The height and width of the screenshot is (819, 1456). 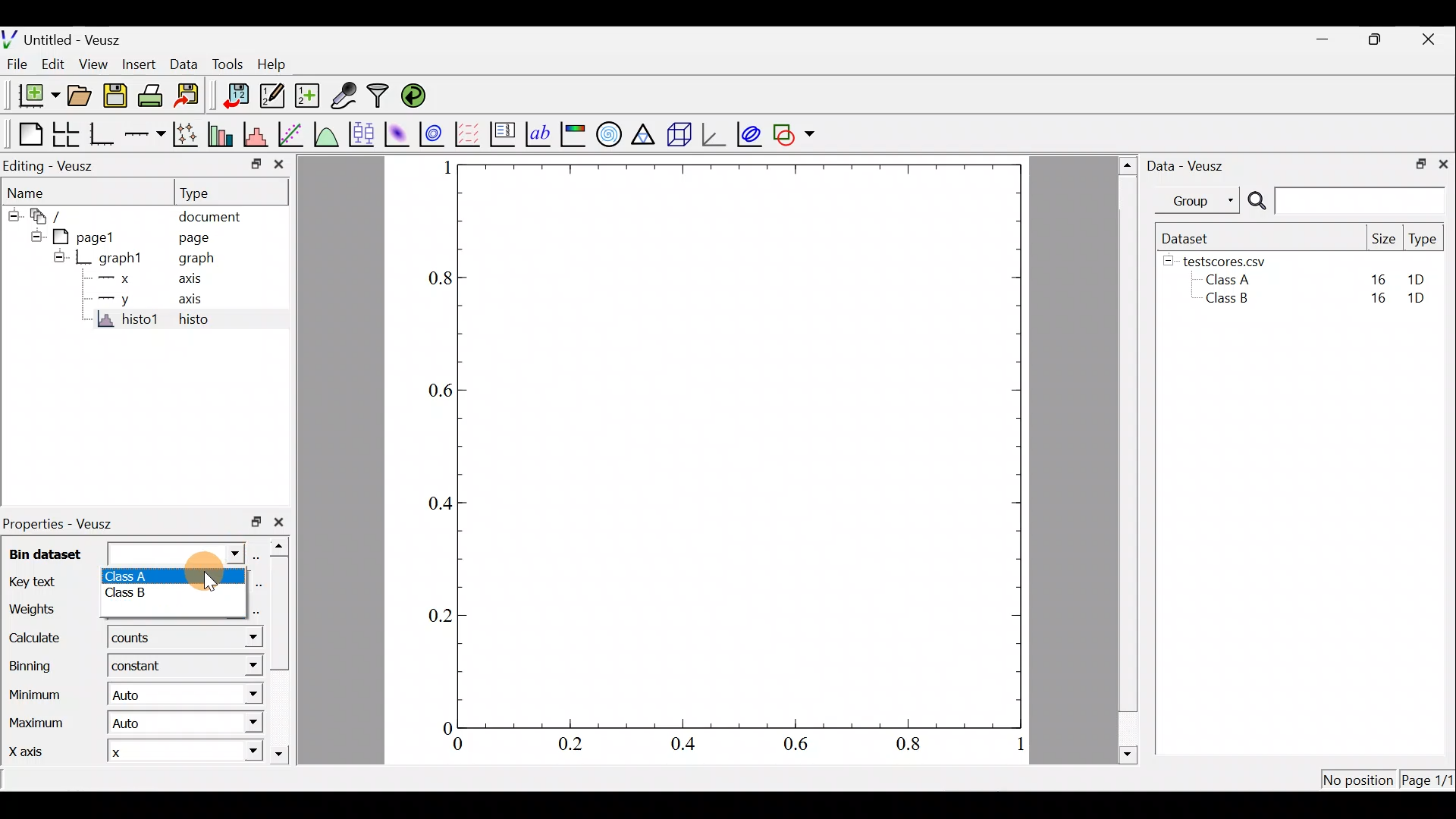 What do you see at coordinates (379, 96) in the screenshot?
I see `Filter data` at bounding box center [379, 96].